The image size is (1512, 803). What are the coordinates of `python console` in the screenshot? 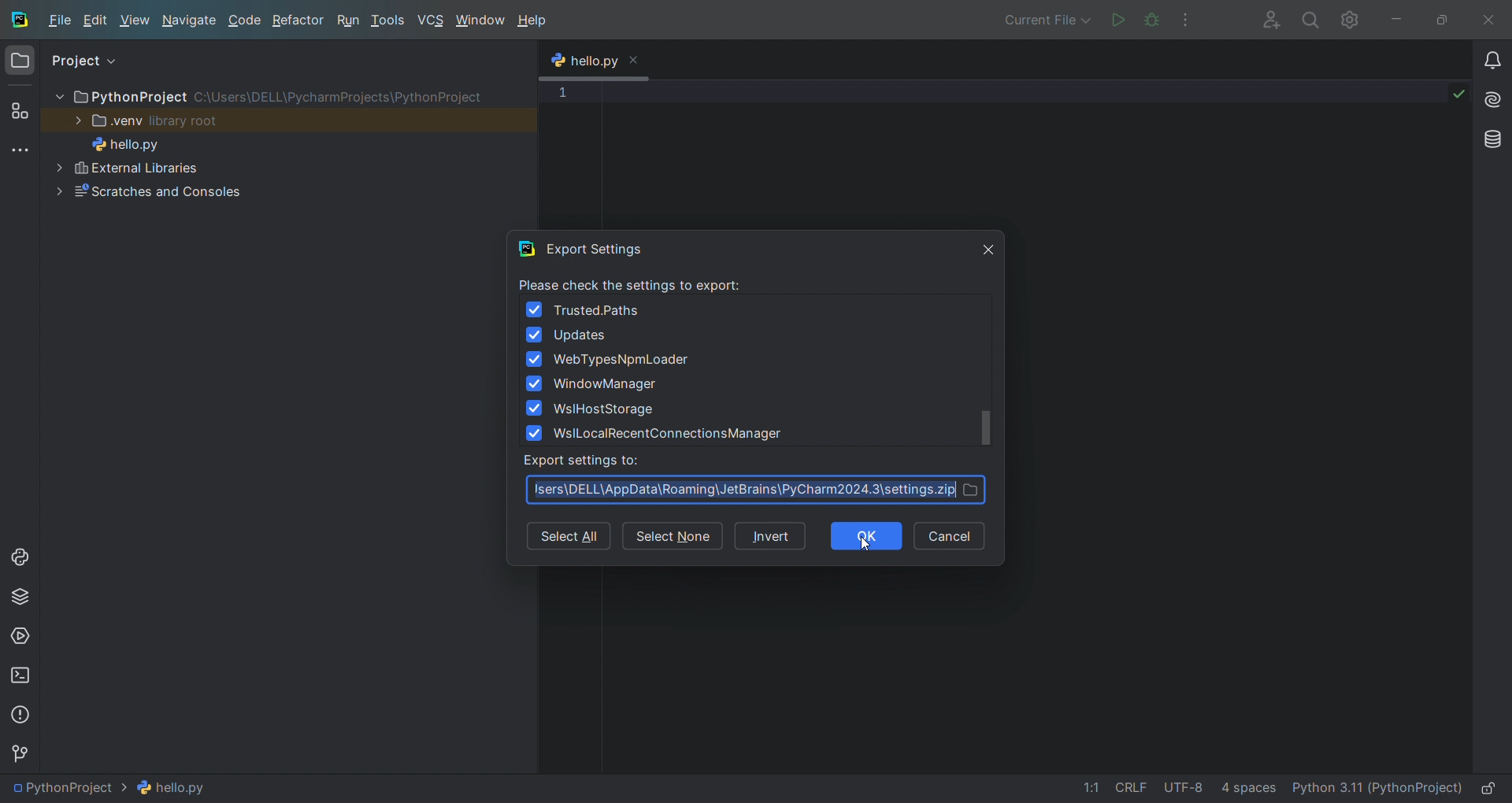 It's located at (24, 563).